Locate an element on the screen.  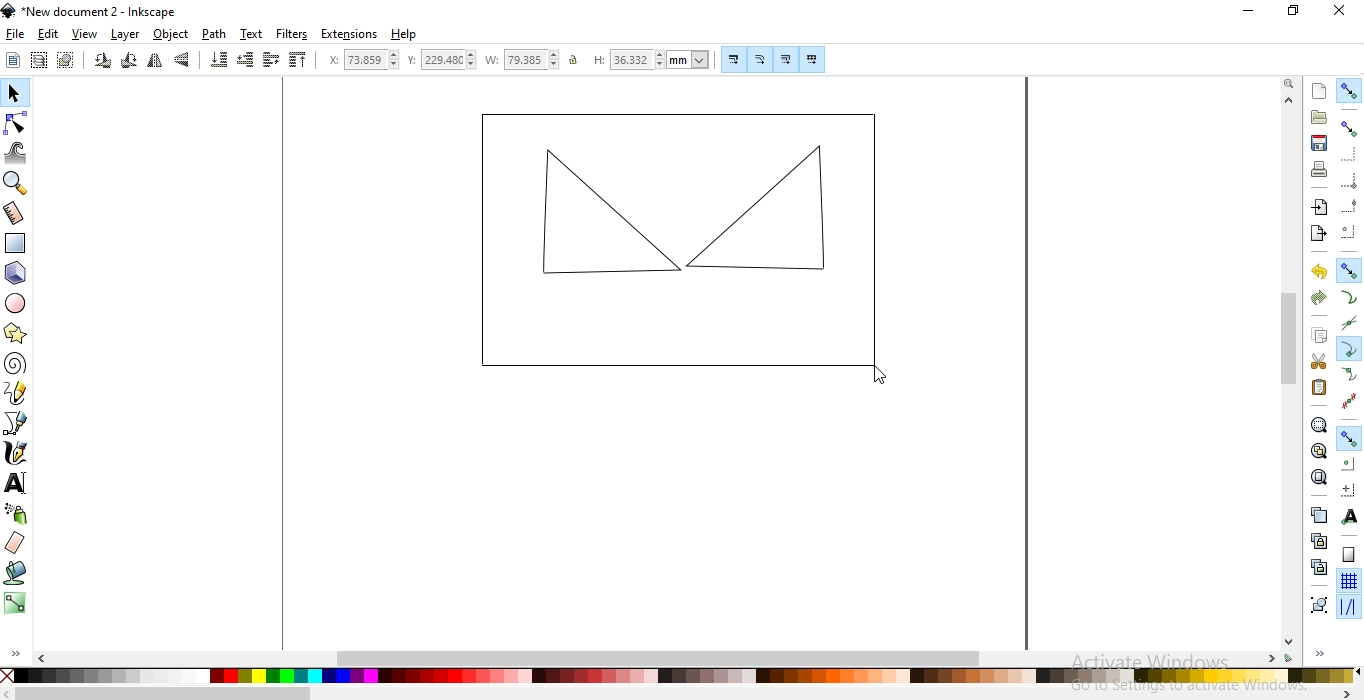
create rectangles or squares is located at coordinates (15, 244).